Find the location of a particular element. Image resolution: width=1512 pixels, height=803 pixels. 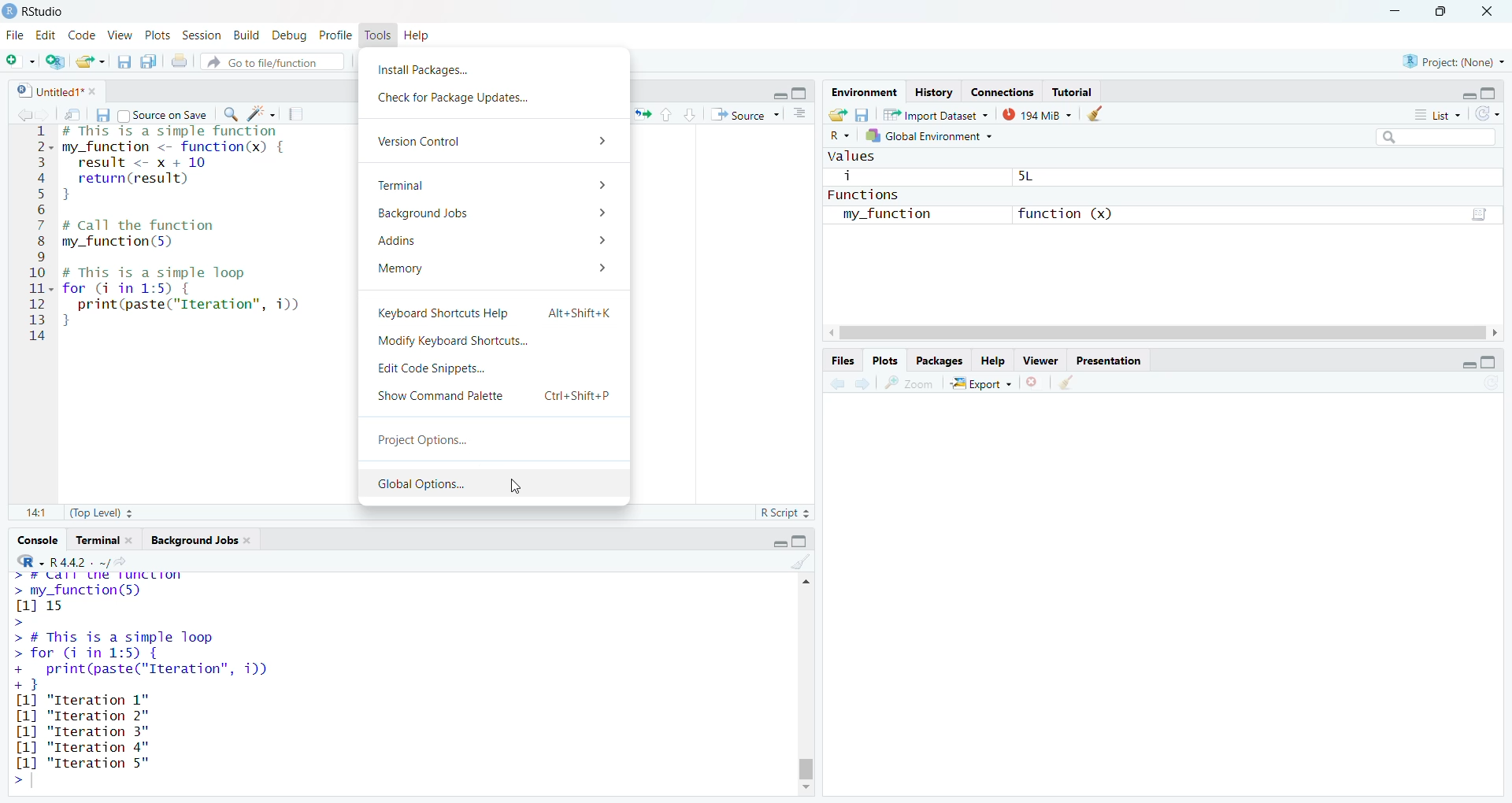

code to call the function is located at coordinates (175, 235).